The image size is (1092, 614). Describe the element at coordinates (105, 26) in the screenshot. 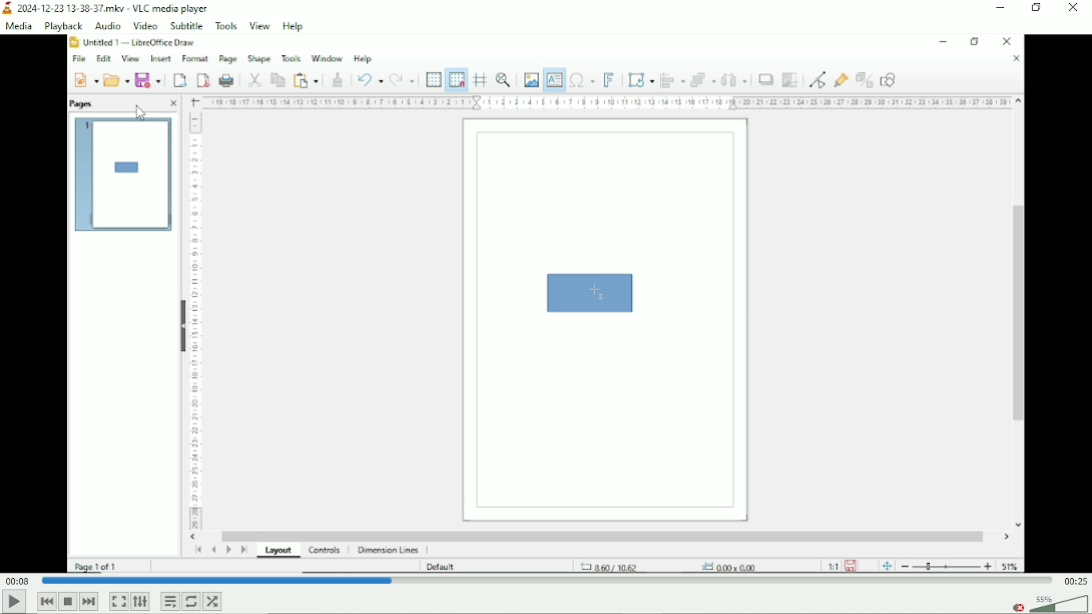

I see `Audio` at that location.